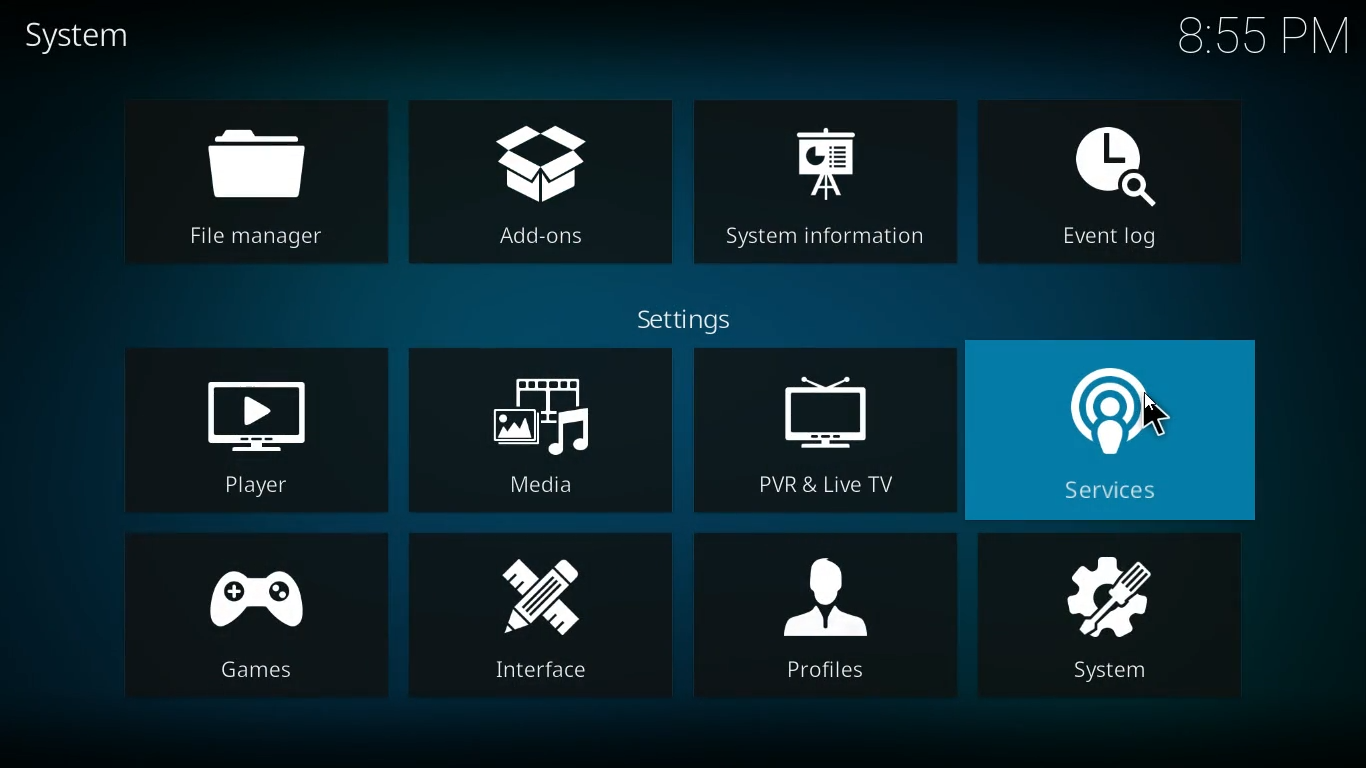  I want to click on interface, so click(538, 617).